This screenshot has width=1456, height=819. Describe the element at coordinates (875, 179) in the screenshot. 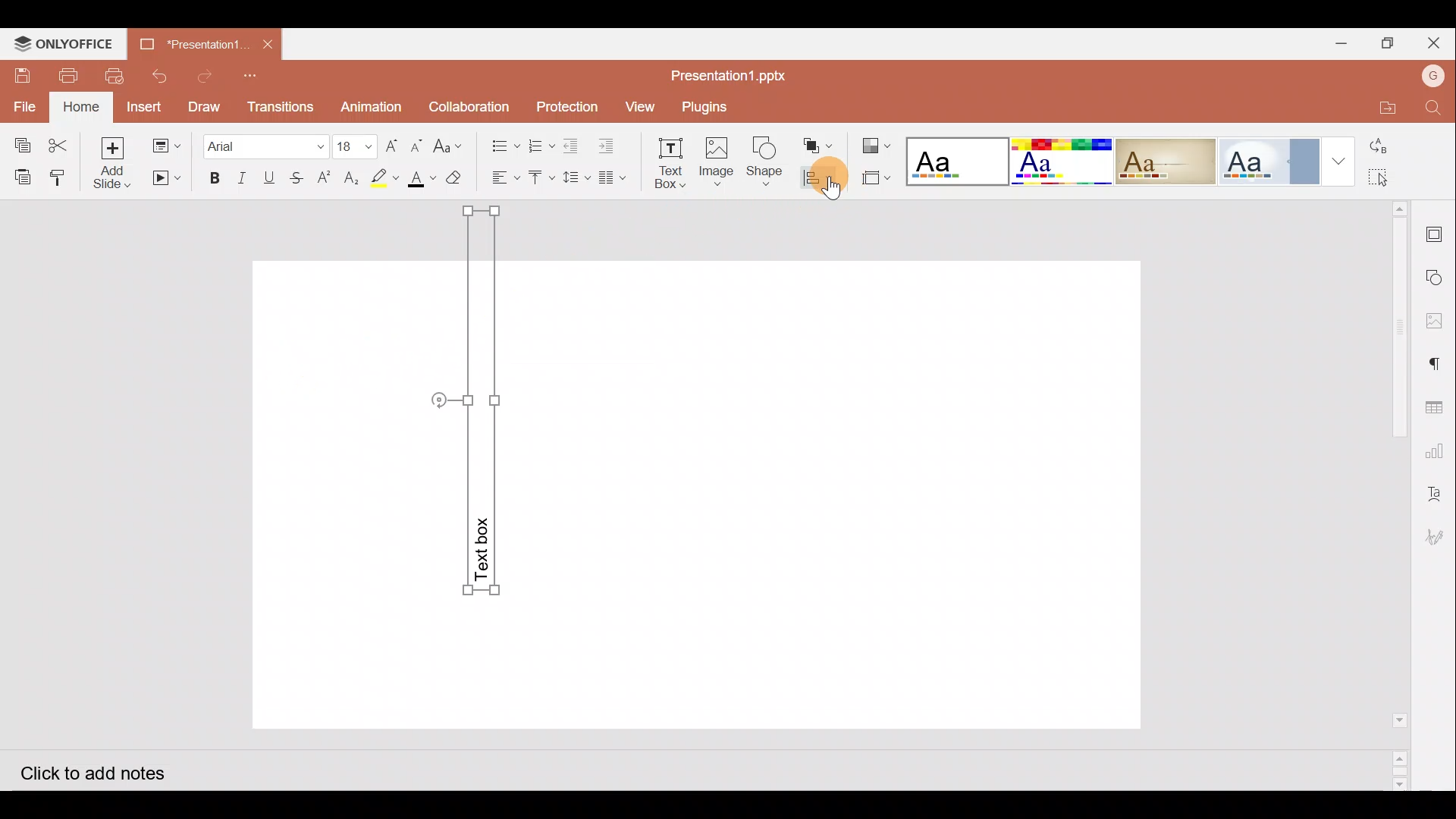

I see `Select slide size` at that location.